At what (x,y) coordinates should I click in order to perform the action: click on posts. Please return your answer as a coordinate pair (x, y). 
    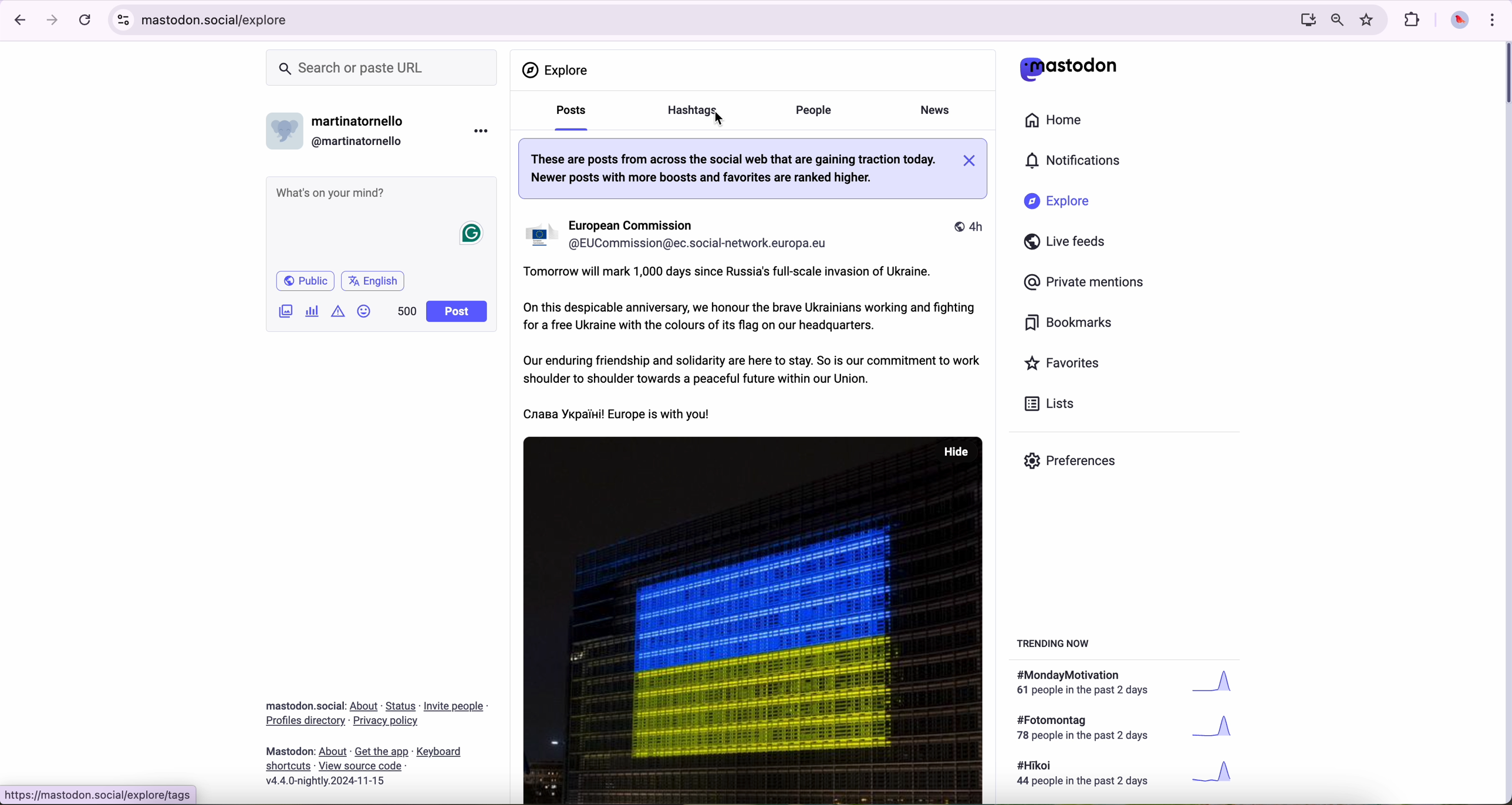
    Looking at the image, I should click on (571, 117).